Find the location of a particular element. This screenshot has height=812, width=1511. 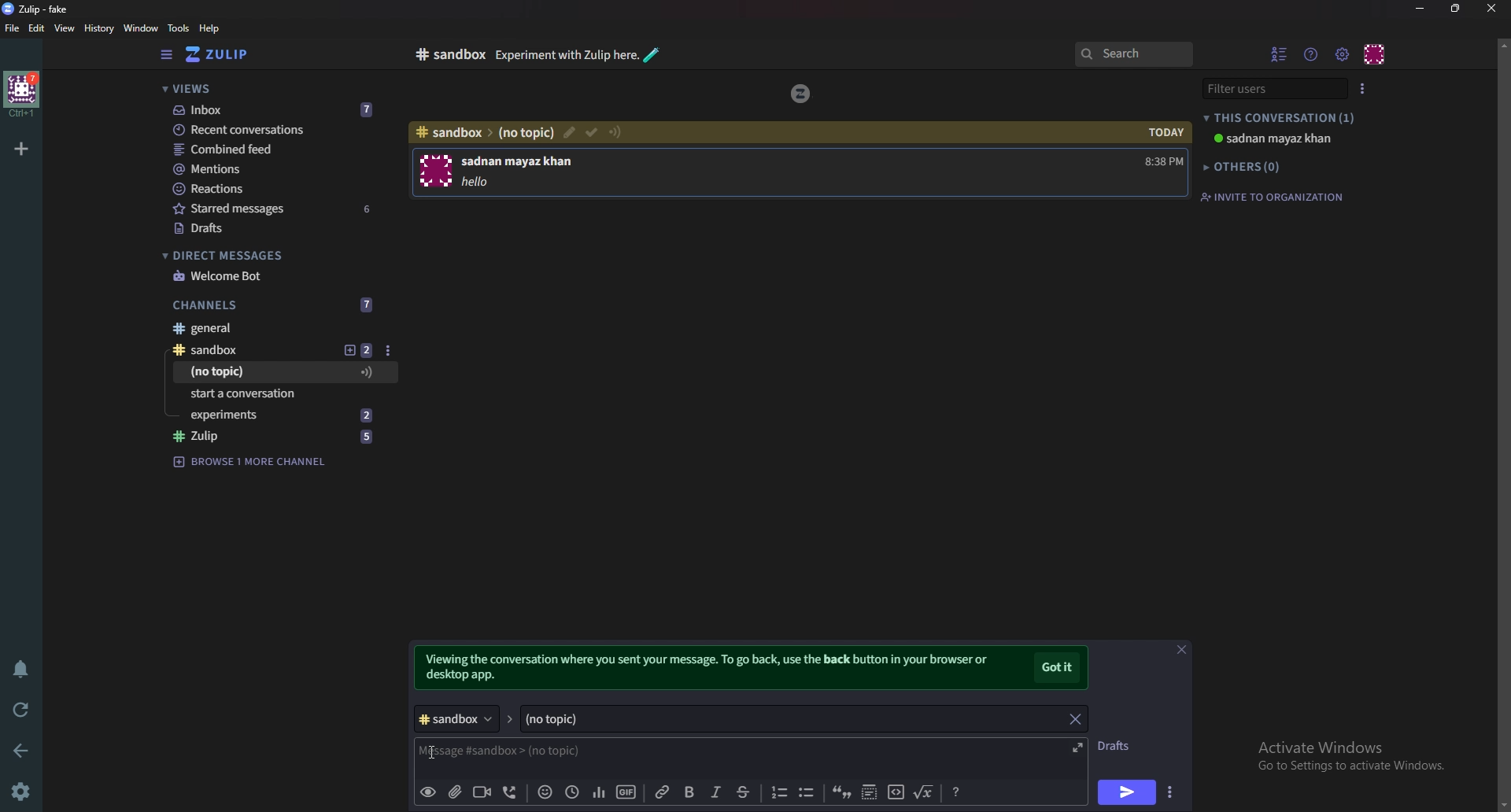

send is located at coordinates (1125, 793).